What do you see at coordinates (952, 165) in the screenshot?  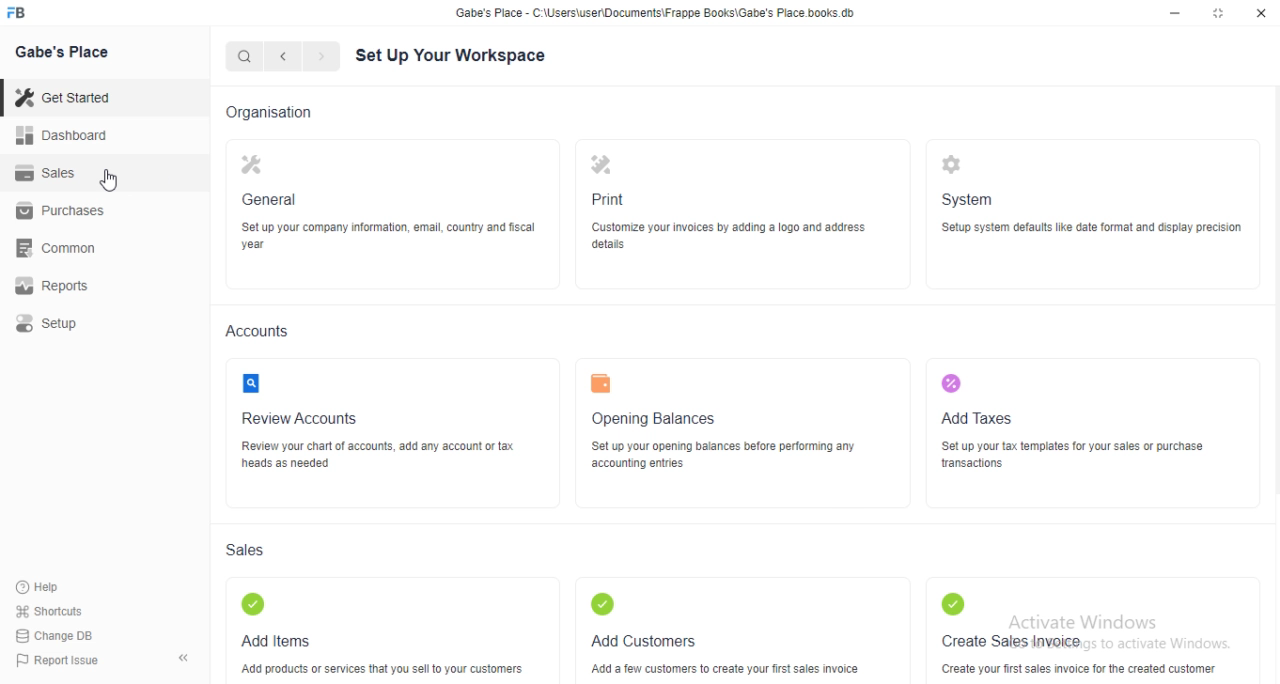 I see `system icon` at bounding box center [952, 165].